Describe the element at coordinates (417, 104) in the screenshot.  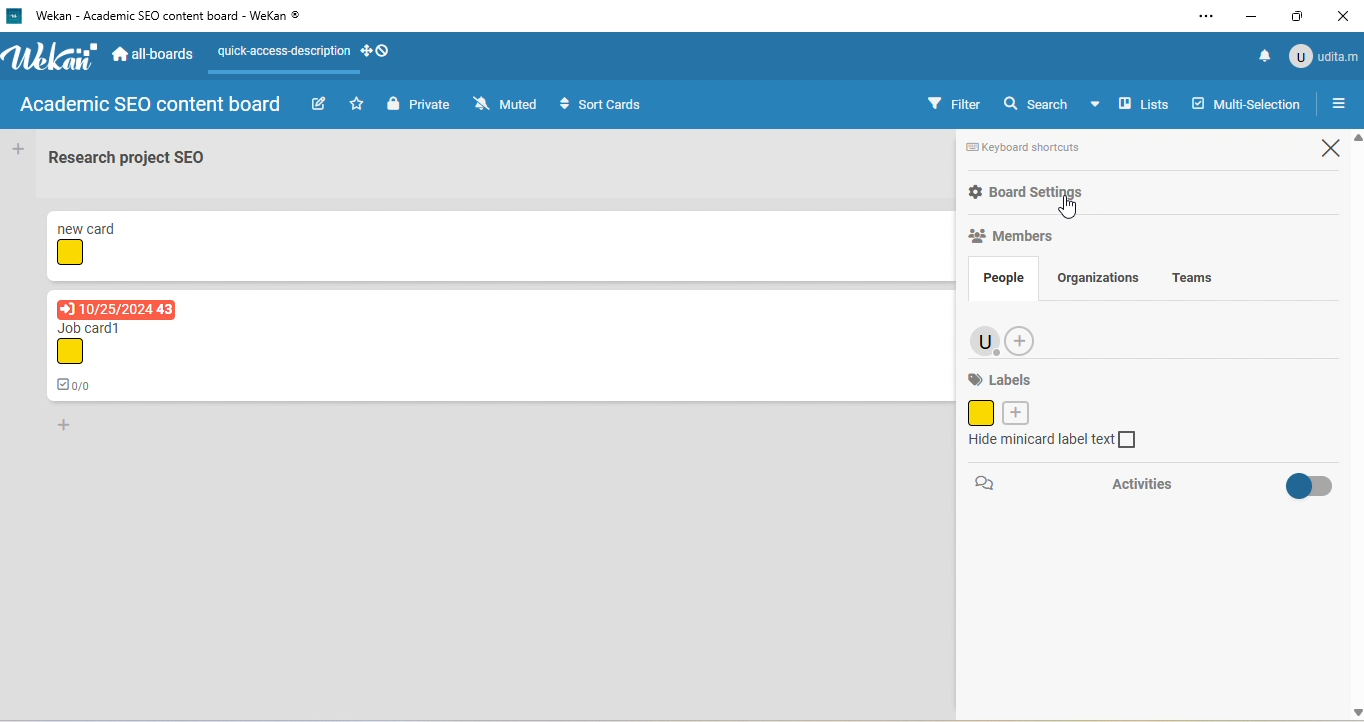
I see `private` at that location.